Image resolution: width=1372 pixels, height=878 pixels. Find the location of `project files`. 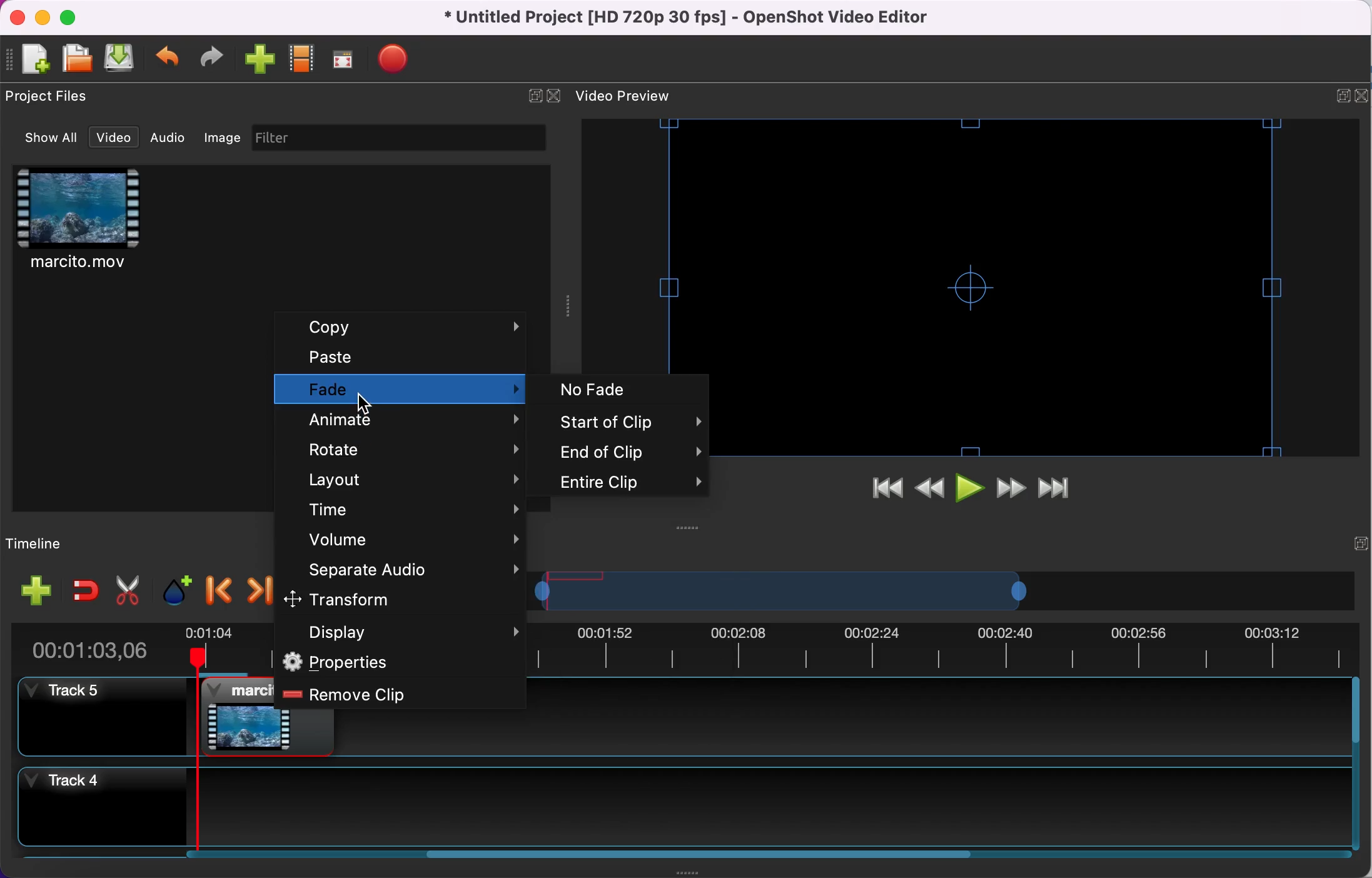

project files is located at coordinates (53, 99).